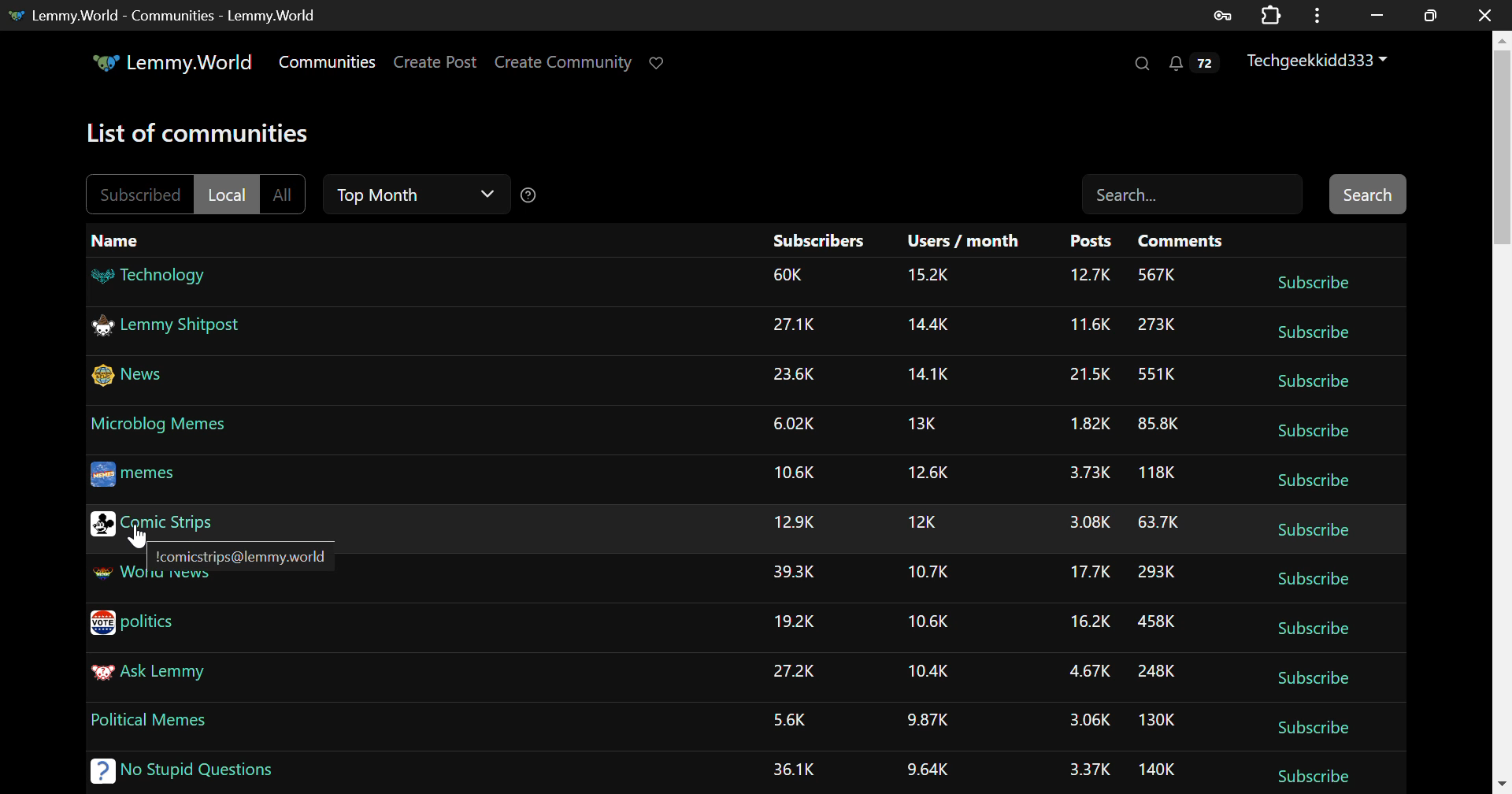 Image resolution: width=1512 pixels, height=794 pixels. I want to click on Amount, so click(1154, 374).